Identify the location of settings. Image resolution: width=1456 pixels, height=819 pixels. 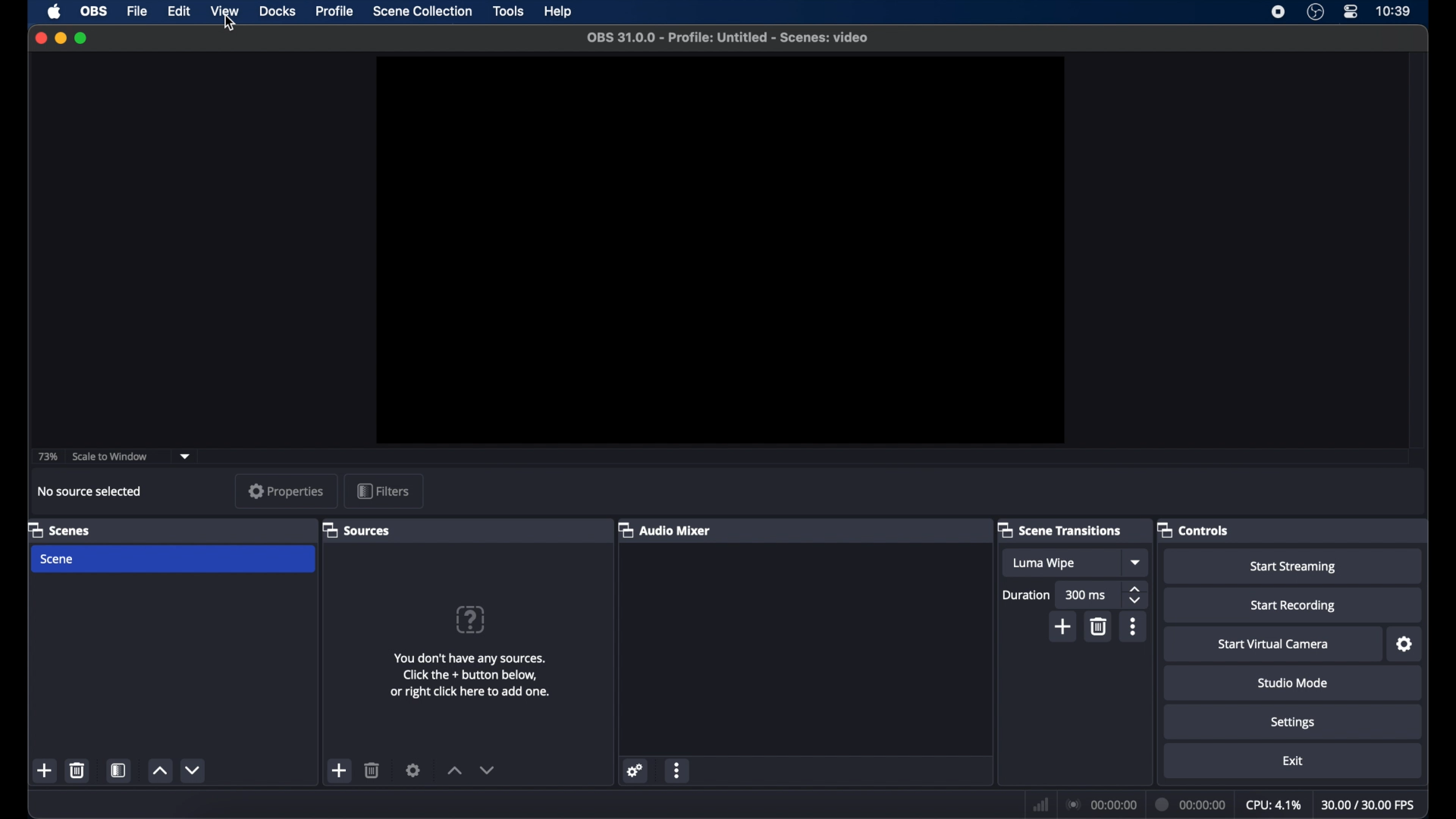
(635, 770).